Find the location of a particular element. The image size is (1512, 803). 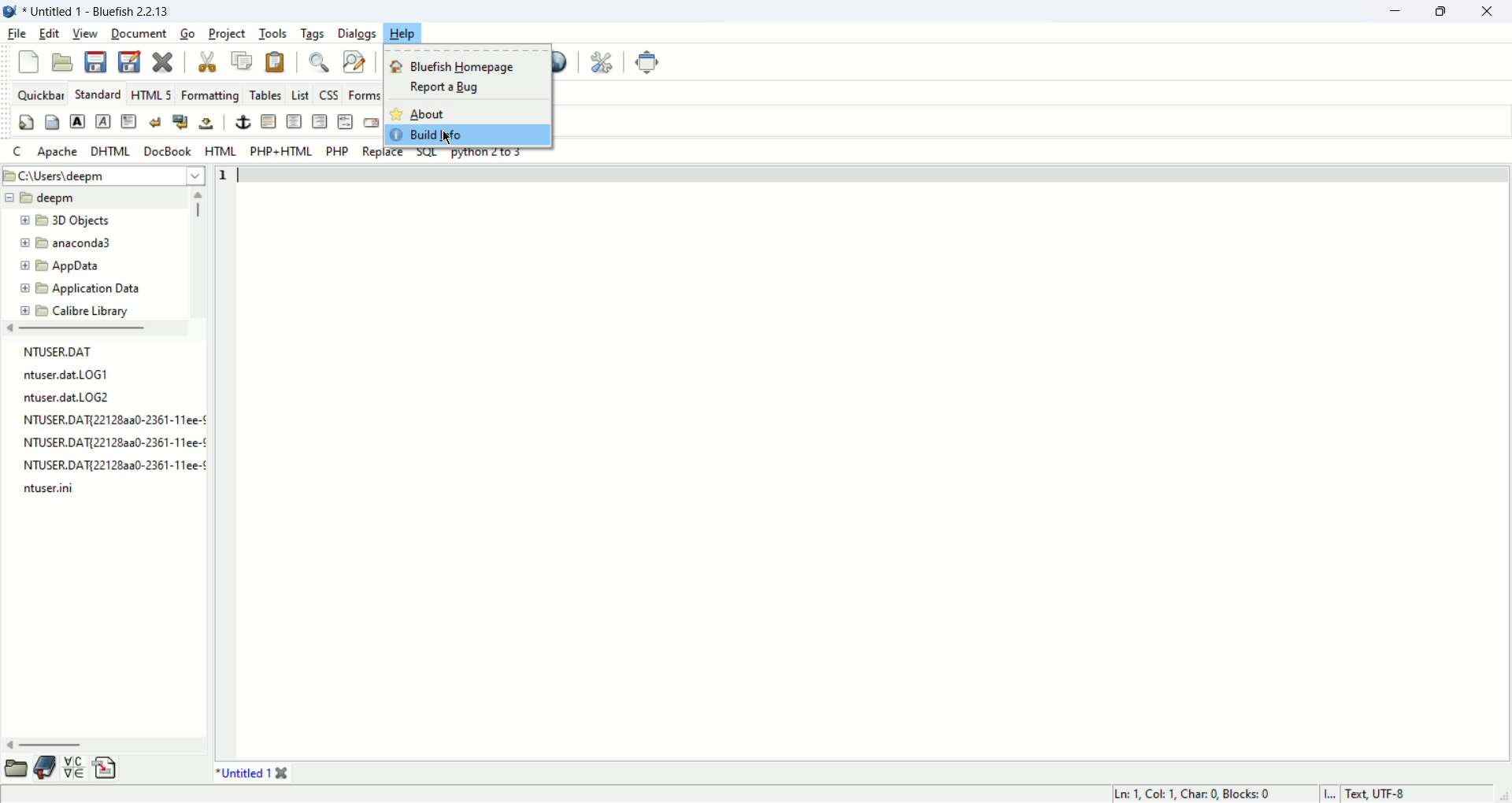

go is located at coordinates (187, 35).